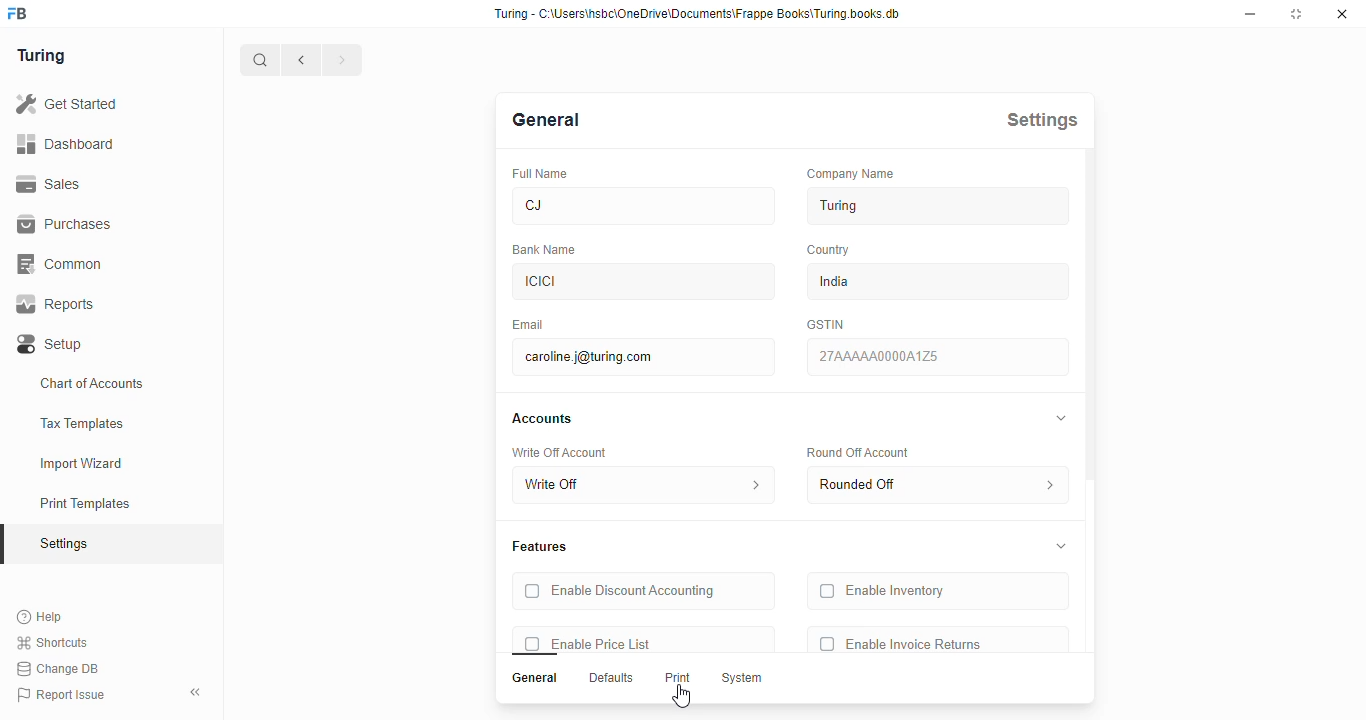 The height and width of the screenshot is (720, 1366). I want to click on checkbox, so click(533, 643).